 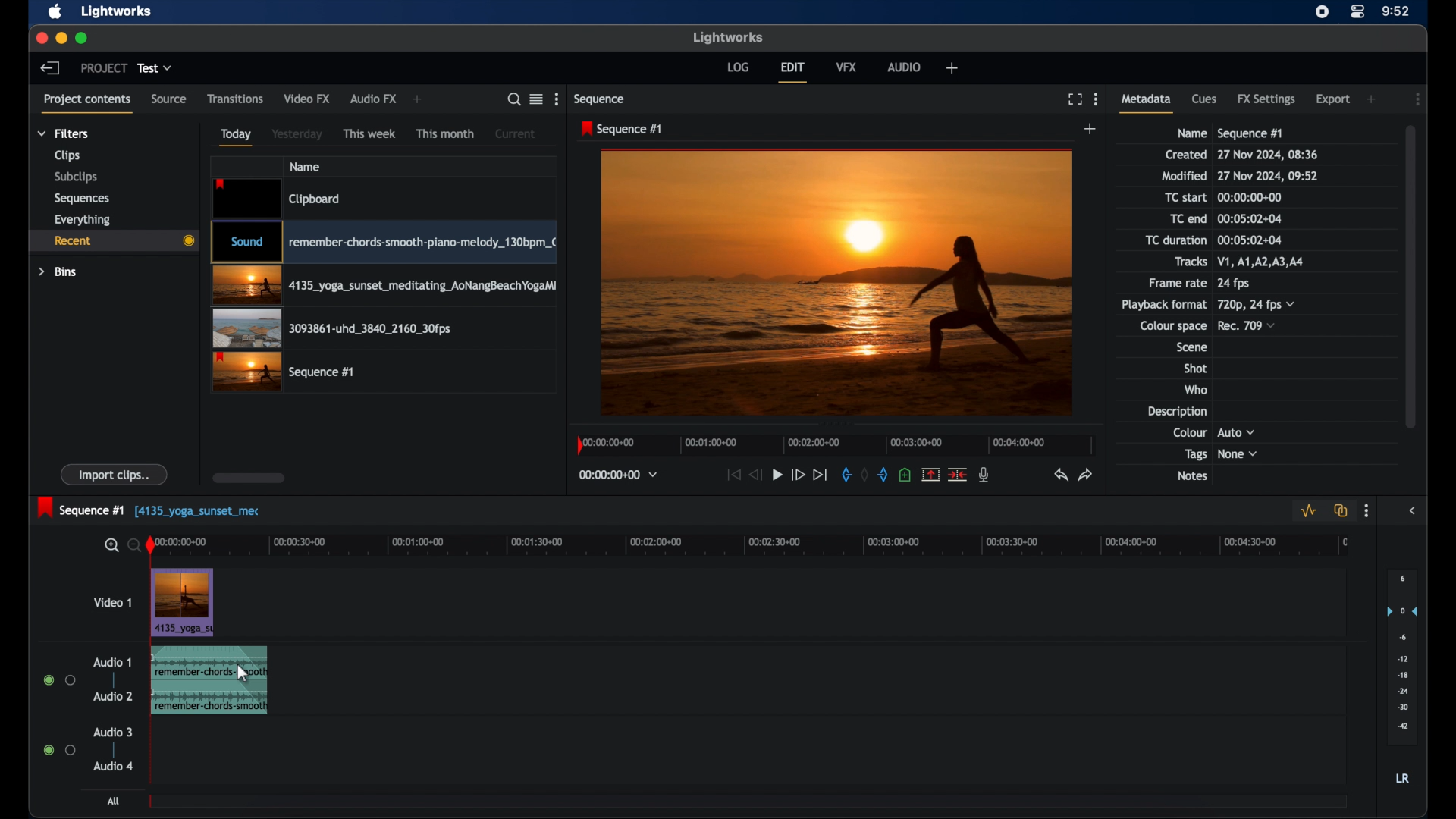 What do you see at coordinates (537, 99) in the screenshot?
I see `google list or tile view` at bounding box center [537, 99].